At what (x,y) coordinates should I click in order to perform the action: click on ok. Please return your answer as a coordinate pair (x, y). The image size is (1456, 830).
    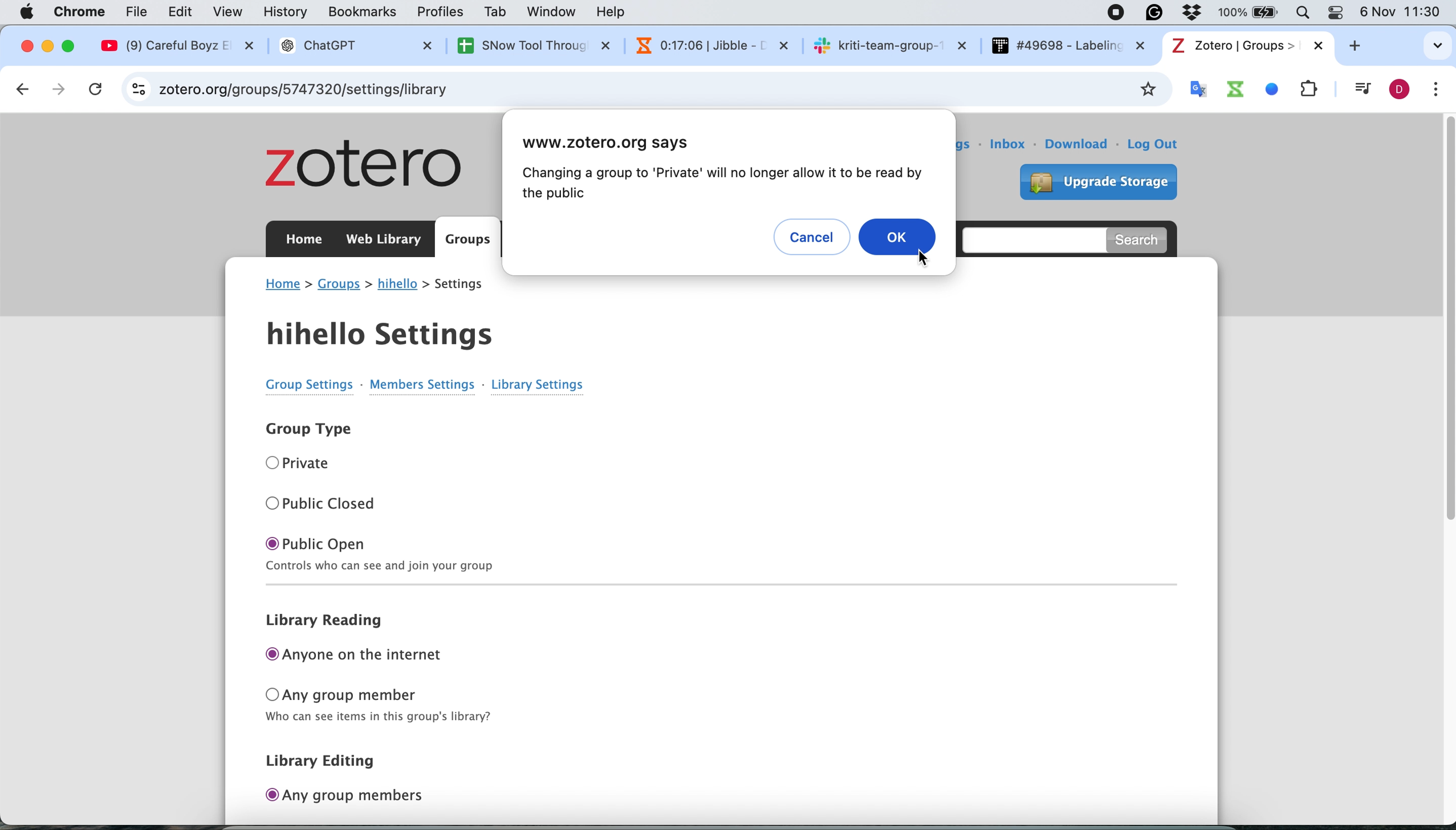
    Looking at the image, I should click on (900, 236).